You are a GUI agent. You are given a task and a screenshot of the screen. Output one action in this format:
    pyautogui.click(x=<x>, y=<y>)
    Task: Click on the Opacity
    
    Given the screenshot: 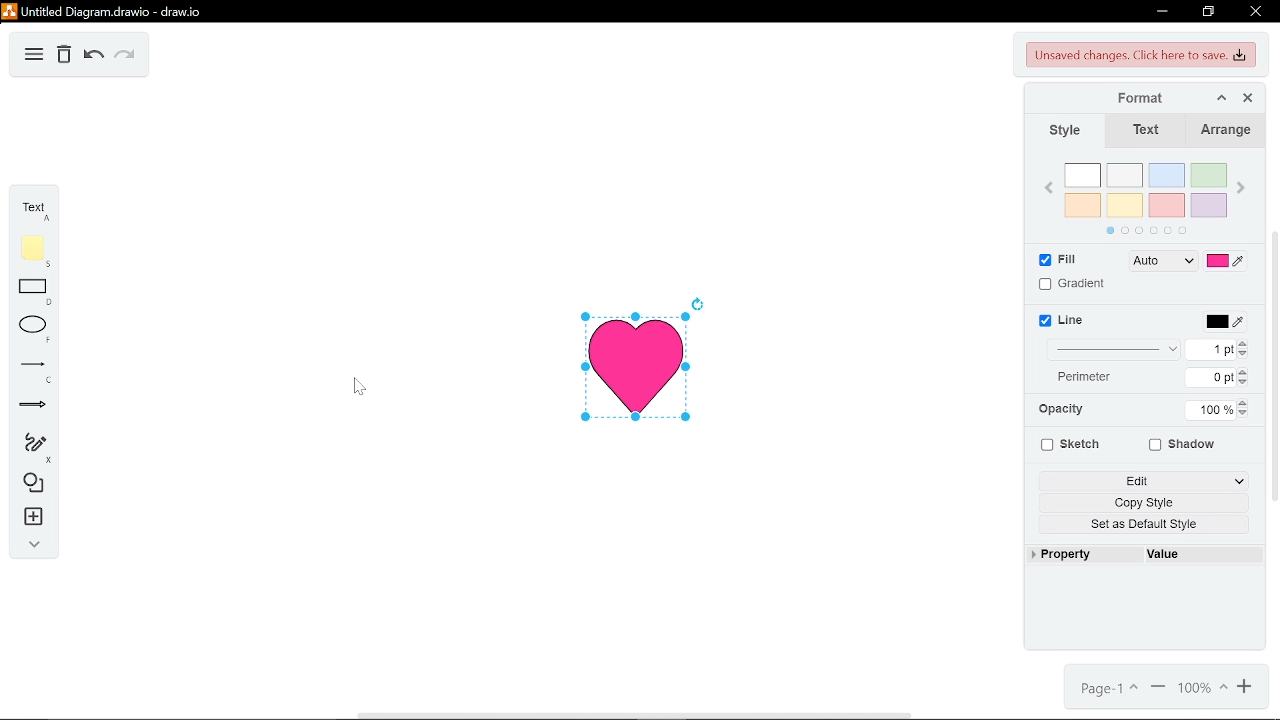 What is the action you would take?
    pyautogui.click(x=1071, y=410)
    